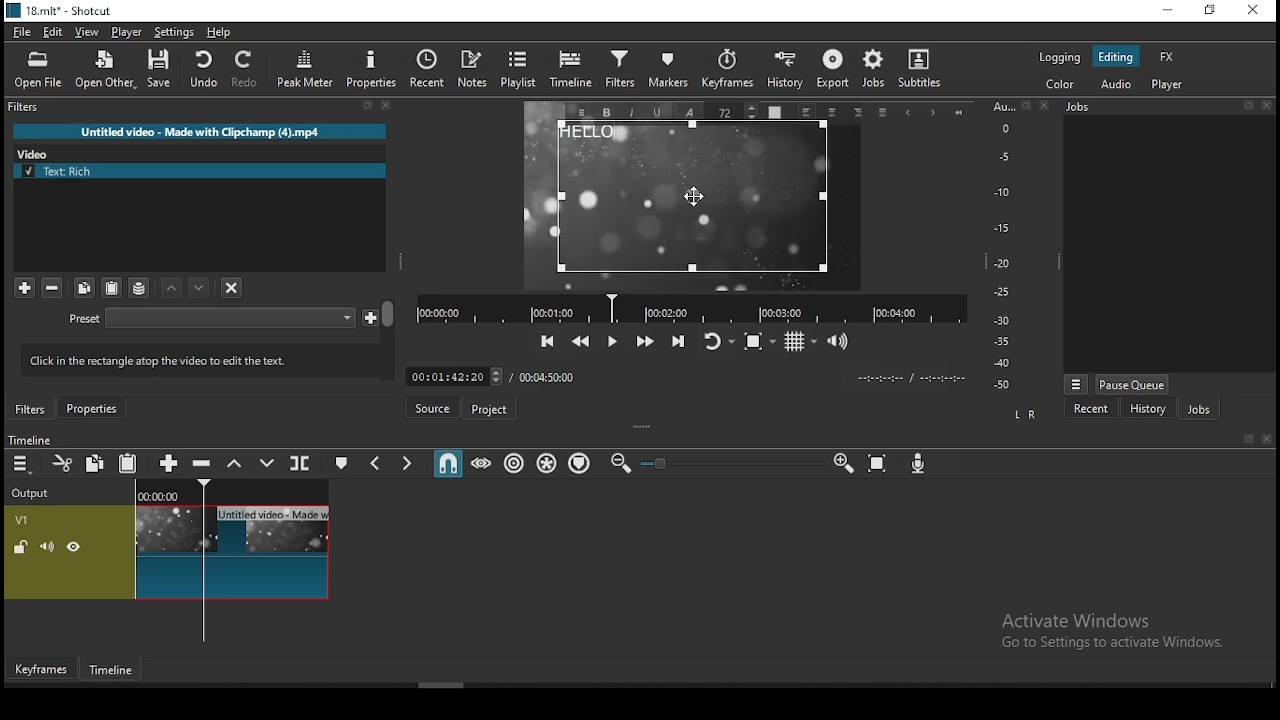 The height and width of the screenshot is (720, 1280). I want to click on Next, so click(933, 114).